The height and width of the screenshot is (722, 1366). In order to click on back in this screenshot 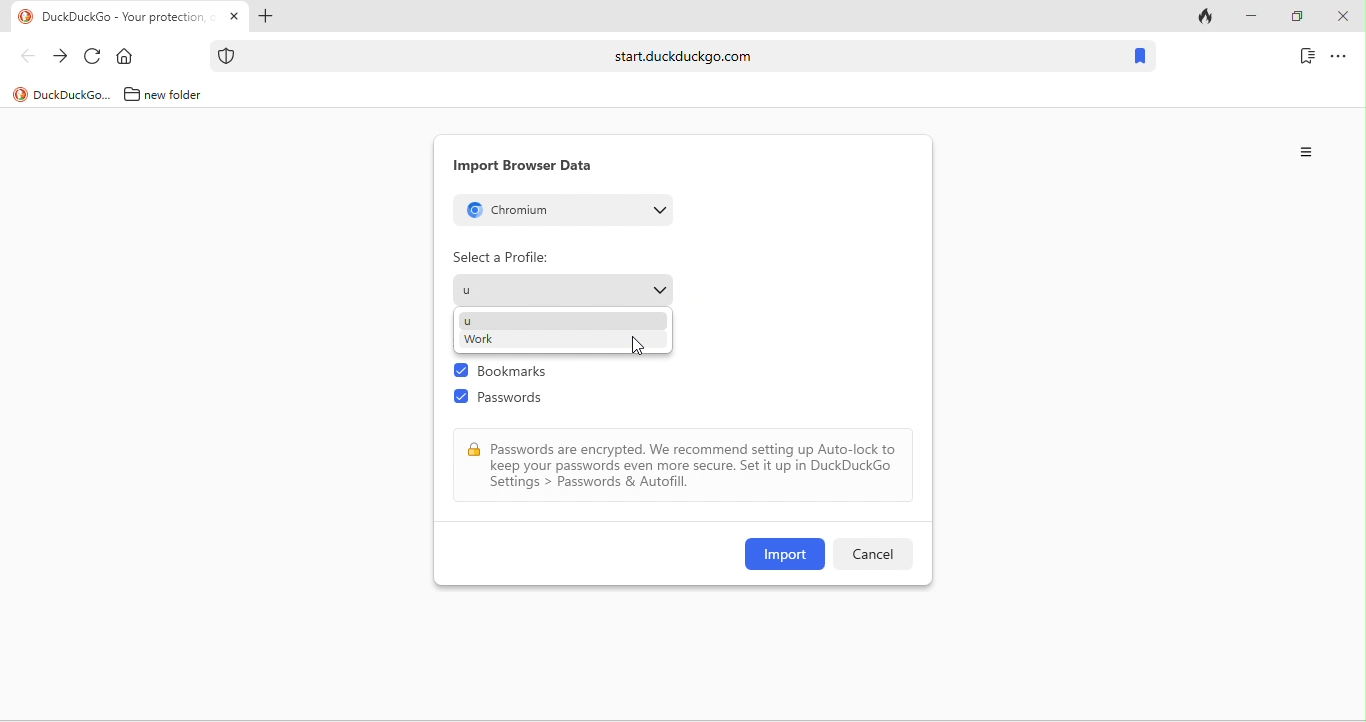, I will do `click(27, 55)`.